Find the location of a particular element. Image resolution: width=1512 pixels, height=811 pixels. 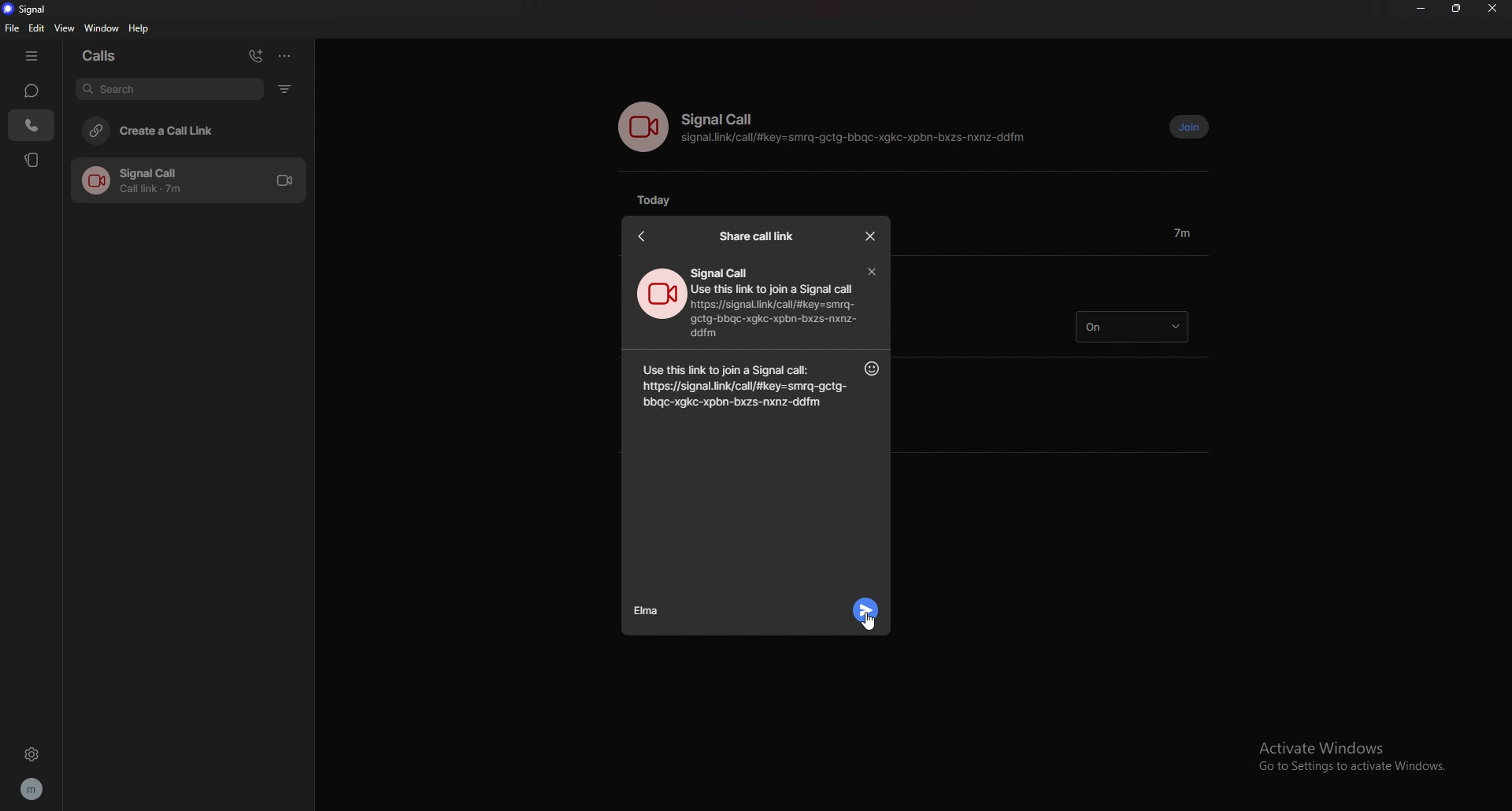

today is located at coordinates (661, 200).